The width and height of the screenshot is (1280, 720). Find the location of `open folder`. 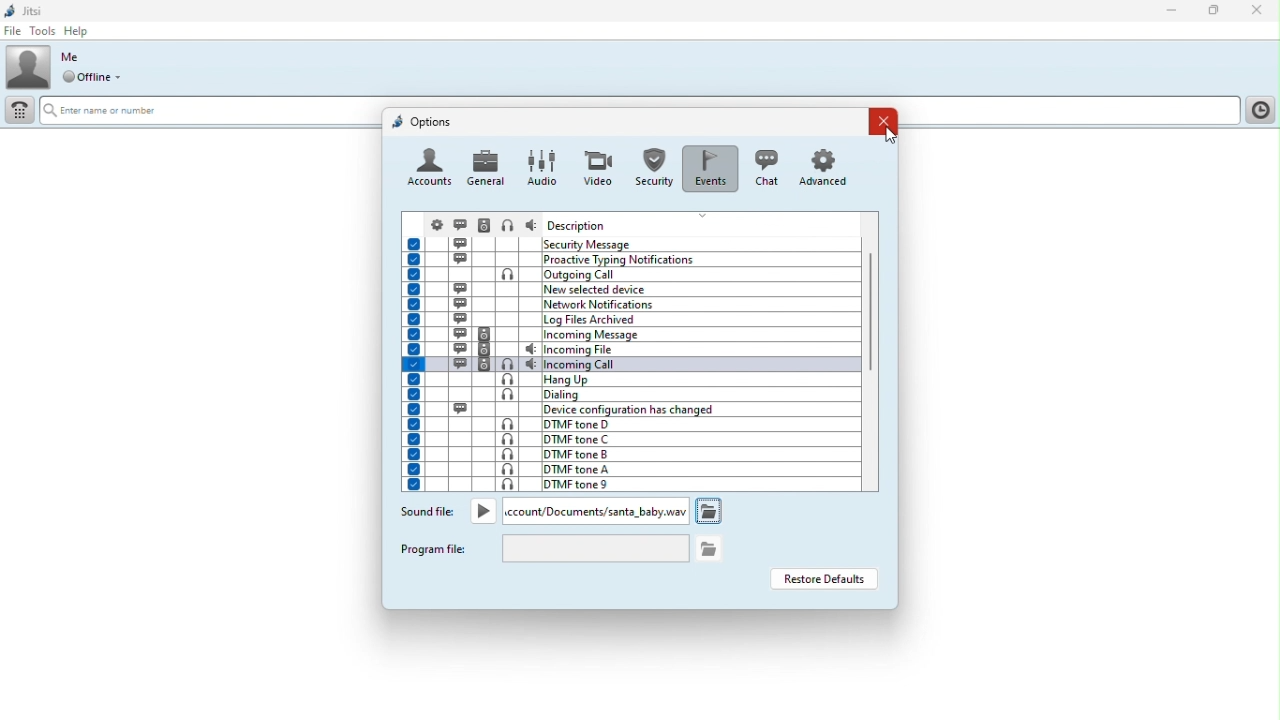

open folder is located at coordinates (710, 547).